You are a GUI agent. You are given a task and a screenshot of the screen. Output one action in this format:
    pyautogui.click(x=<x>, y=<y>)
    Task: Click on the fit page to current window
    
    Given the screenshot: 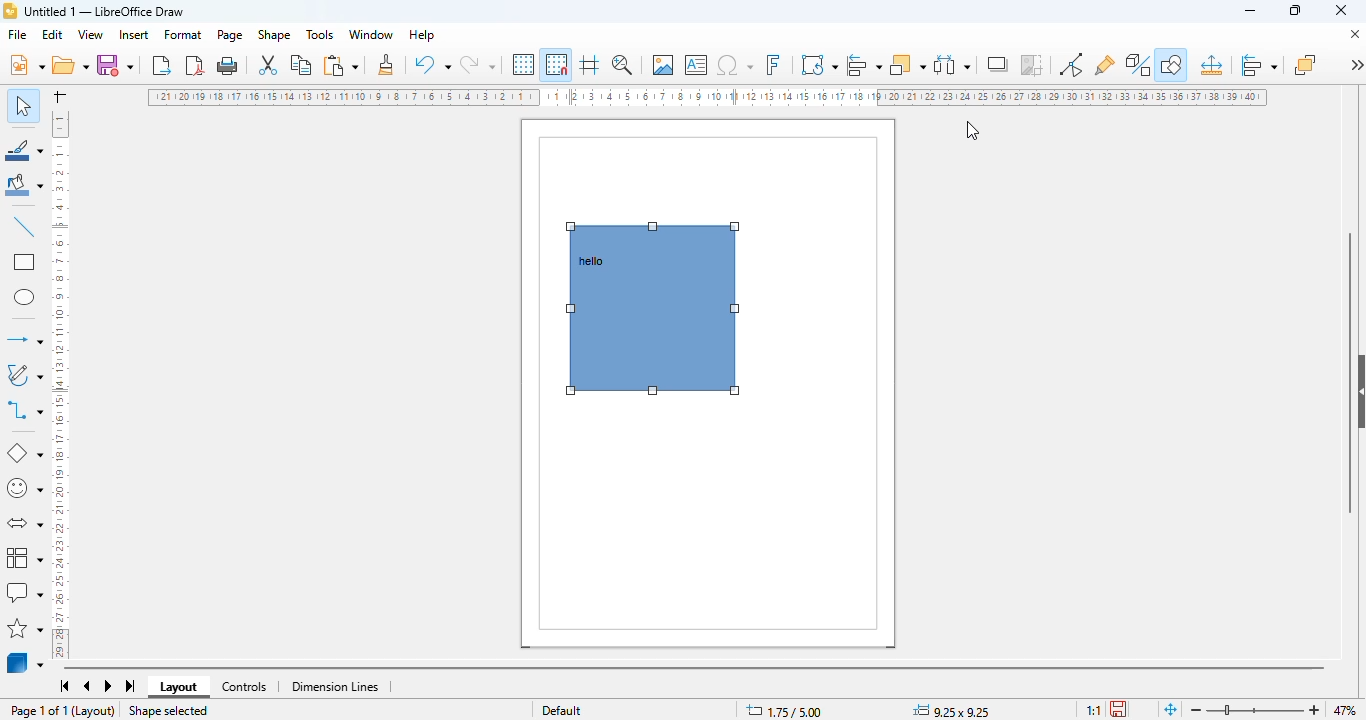 What is the action you would take?
    pyautogui.click(x=1170, y=708)
    